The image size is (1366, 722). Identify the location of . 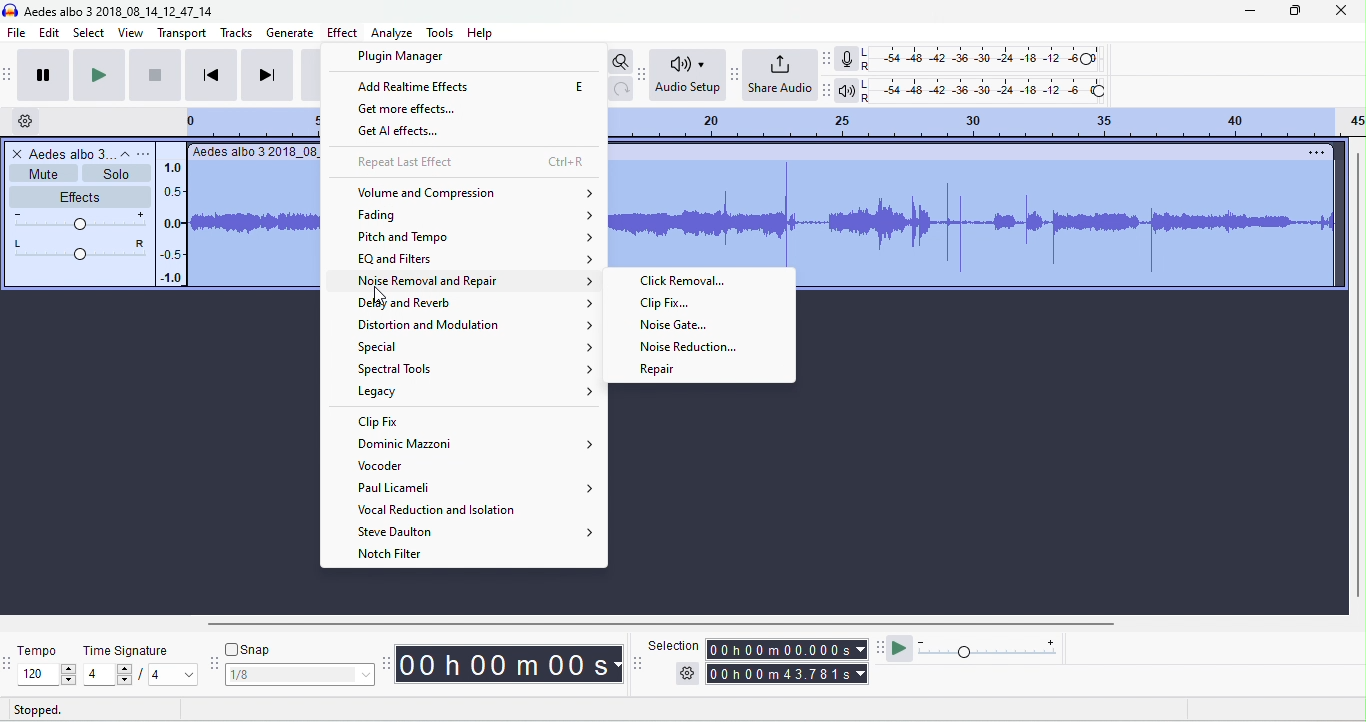
(88, 154).